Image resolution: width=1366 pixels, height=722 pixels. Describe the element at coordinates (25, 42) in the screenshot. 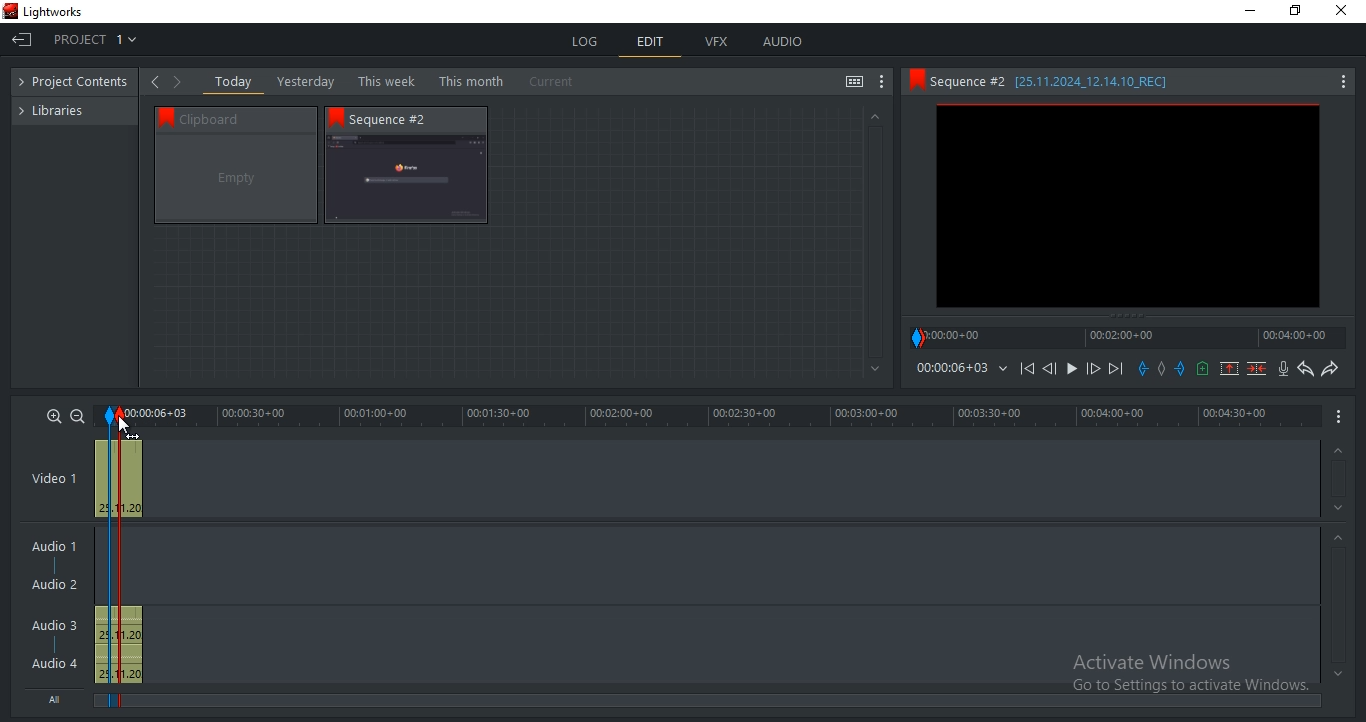

I see `exit project` at that location.